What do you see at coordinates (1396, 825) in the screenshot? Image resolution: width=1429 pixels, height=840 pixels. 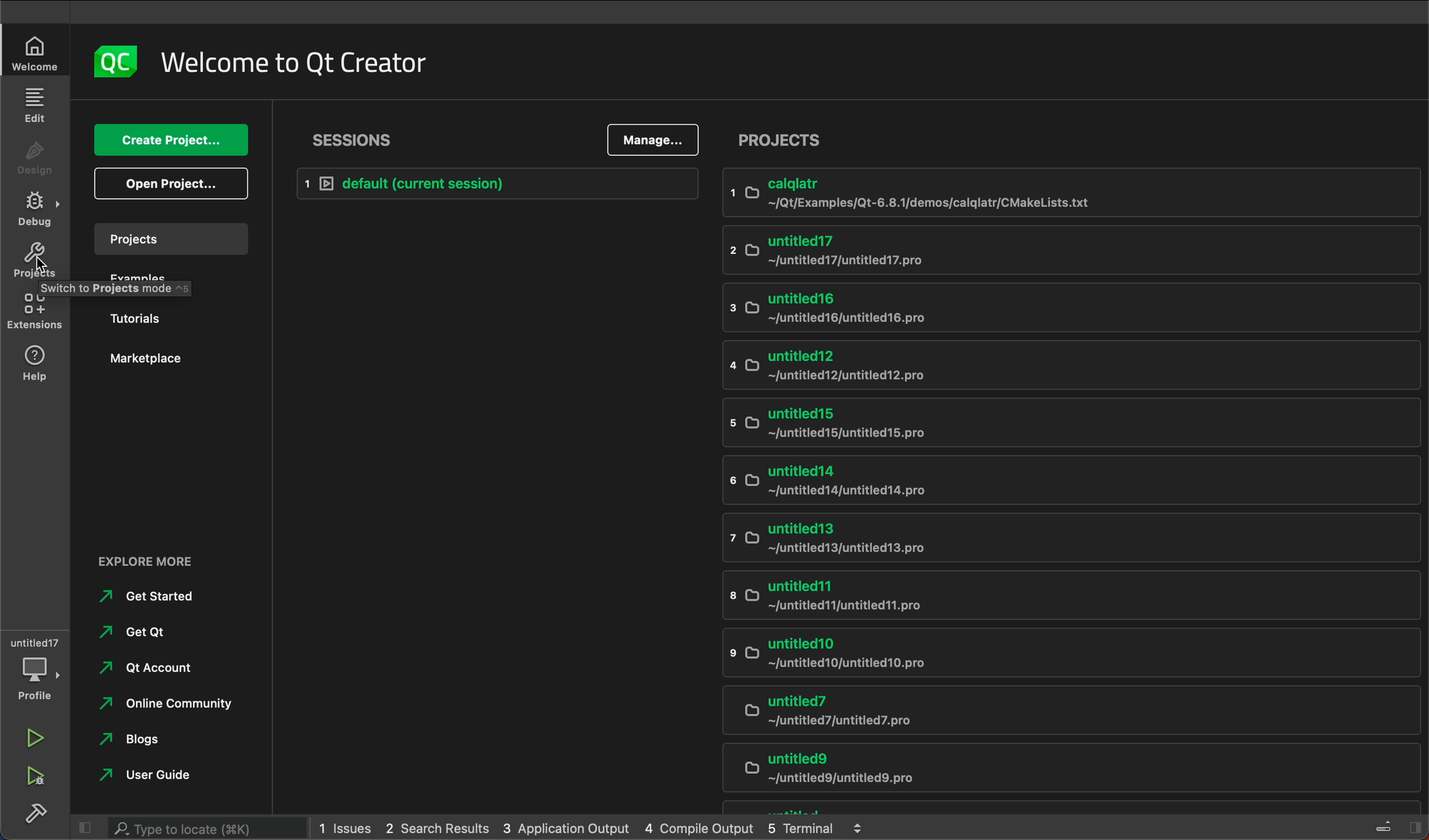 I see `toggle sidebar` at bounding box center [1396, 825].